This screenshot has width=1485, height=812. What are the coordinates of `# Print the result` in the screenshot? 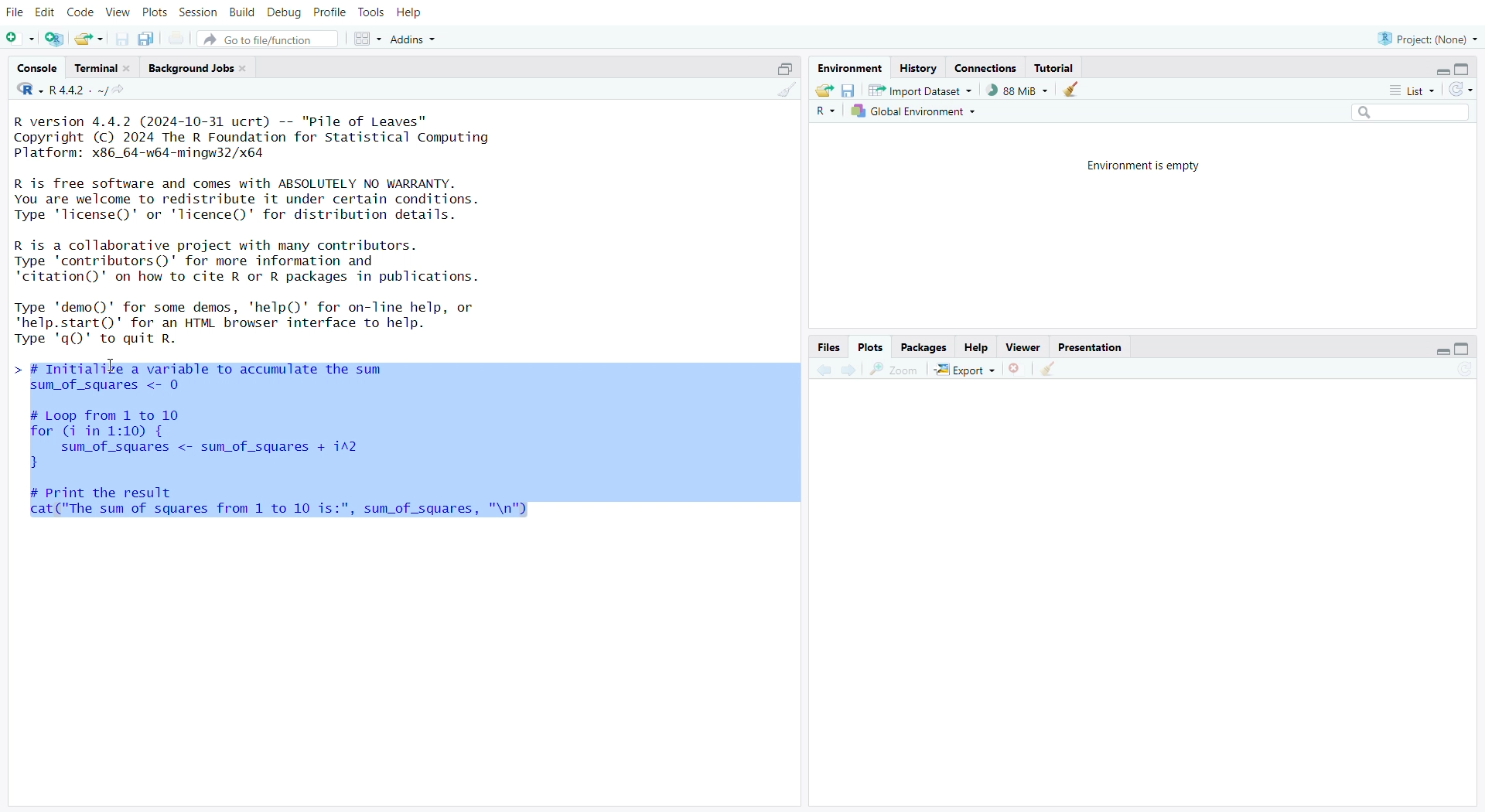 It's located at (115, 491).